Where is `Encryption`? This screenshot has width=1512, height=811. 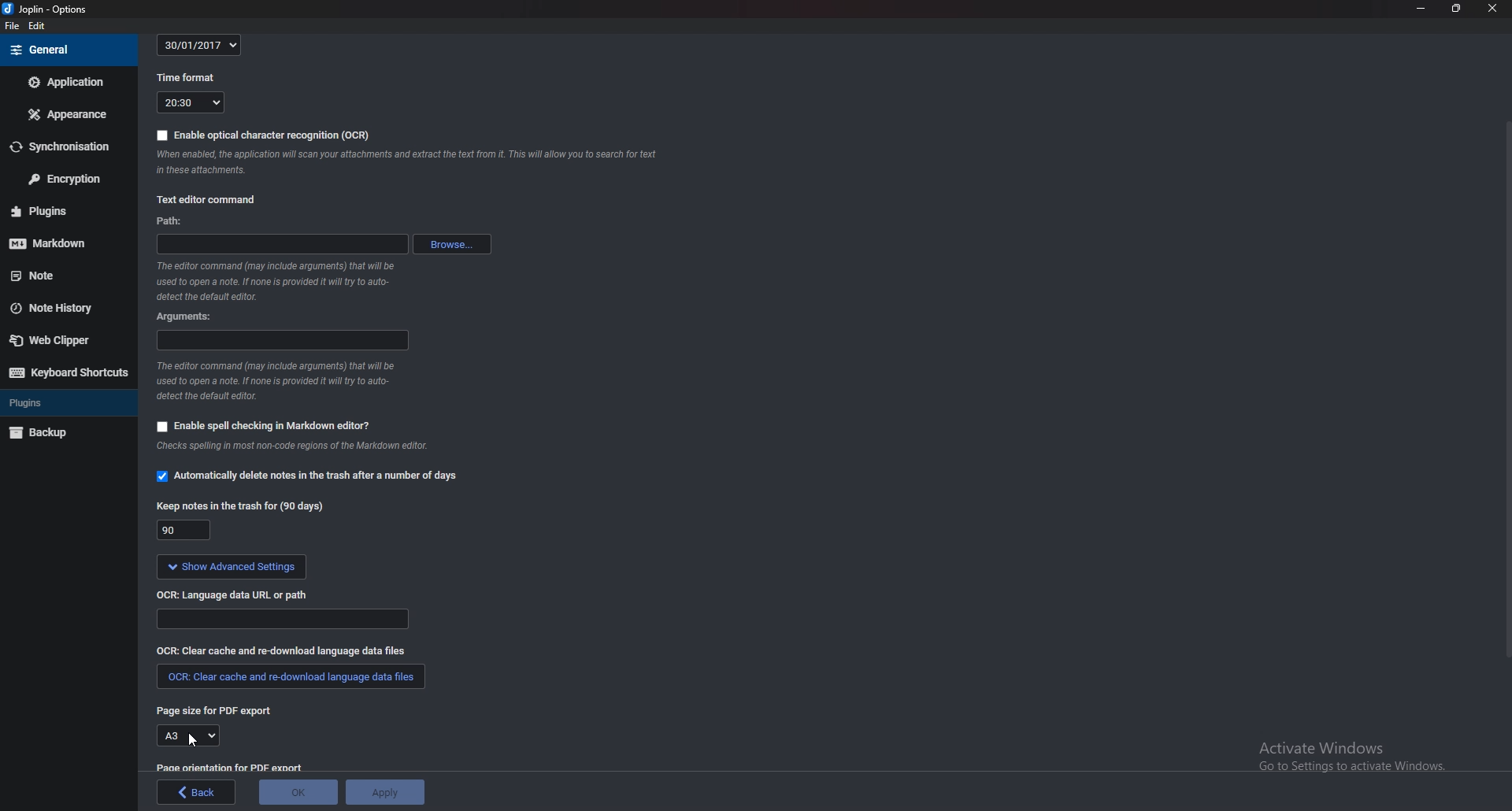
Encryption is located at coordinates (66, 178).